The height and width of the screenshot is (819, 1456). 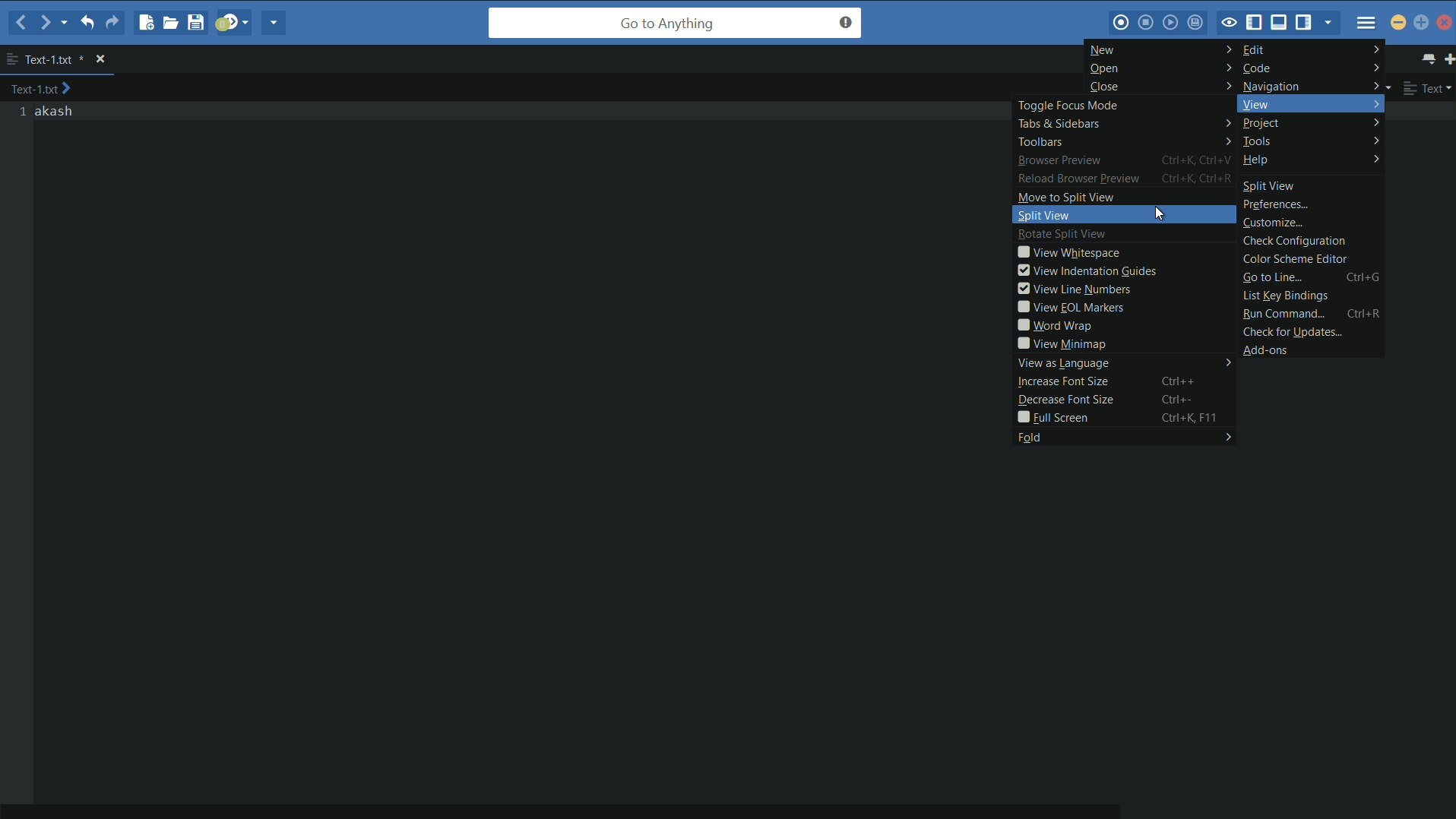 What do you see at coordinates (1197, 21) in the screenshot?
I see `save macro to toolbox` at bounding box center [1197, 21].